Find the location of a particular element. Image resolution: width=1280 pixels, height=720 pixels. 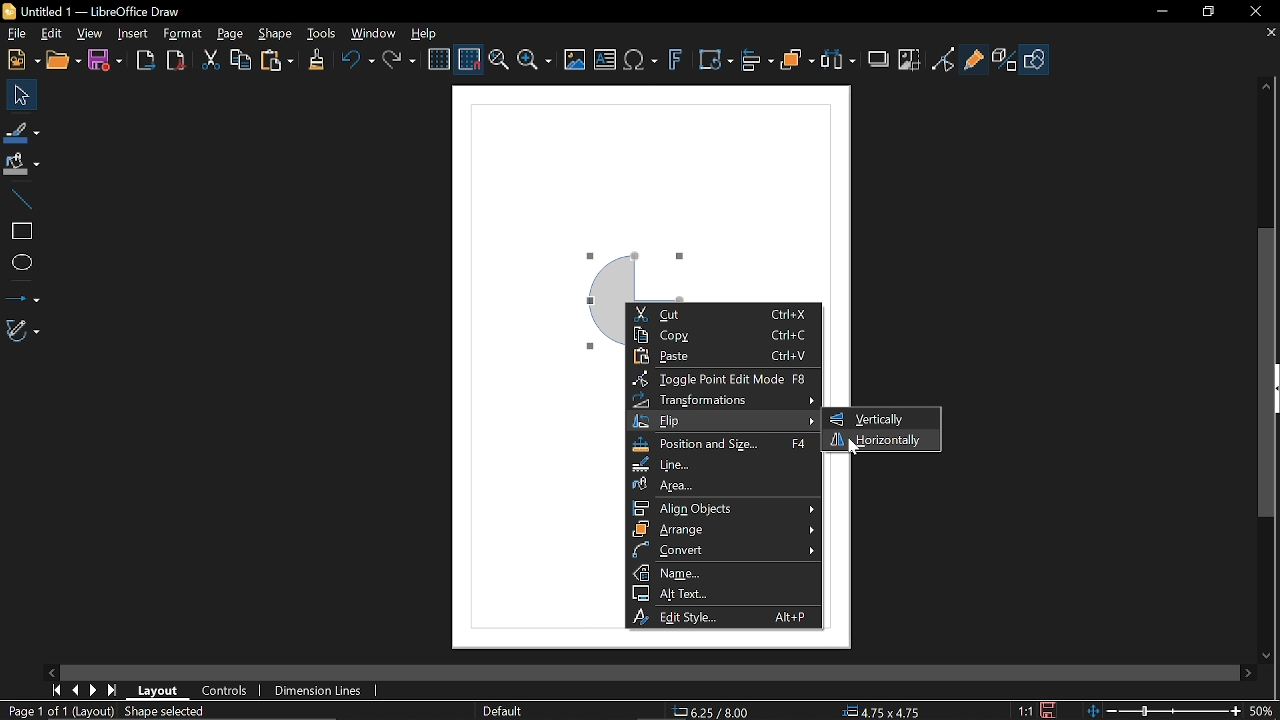

Undo is located at coordinates (358, 62).